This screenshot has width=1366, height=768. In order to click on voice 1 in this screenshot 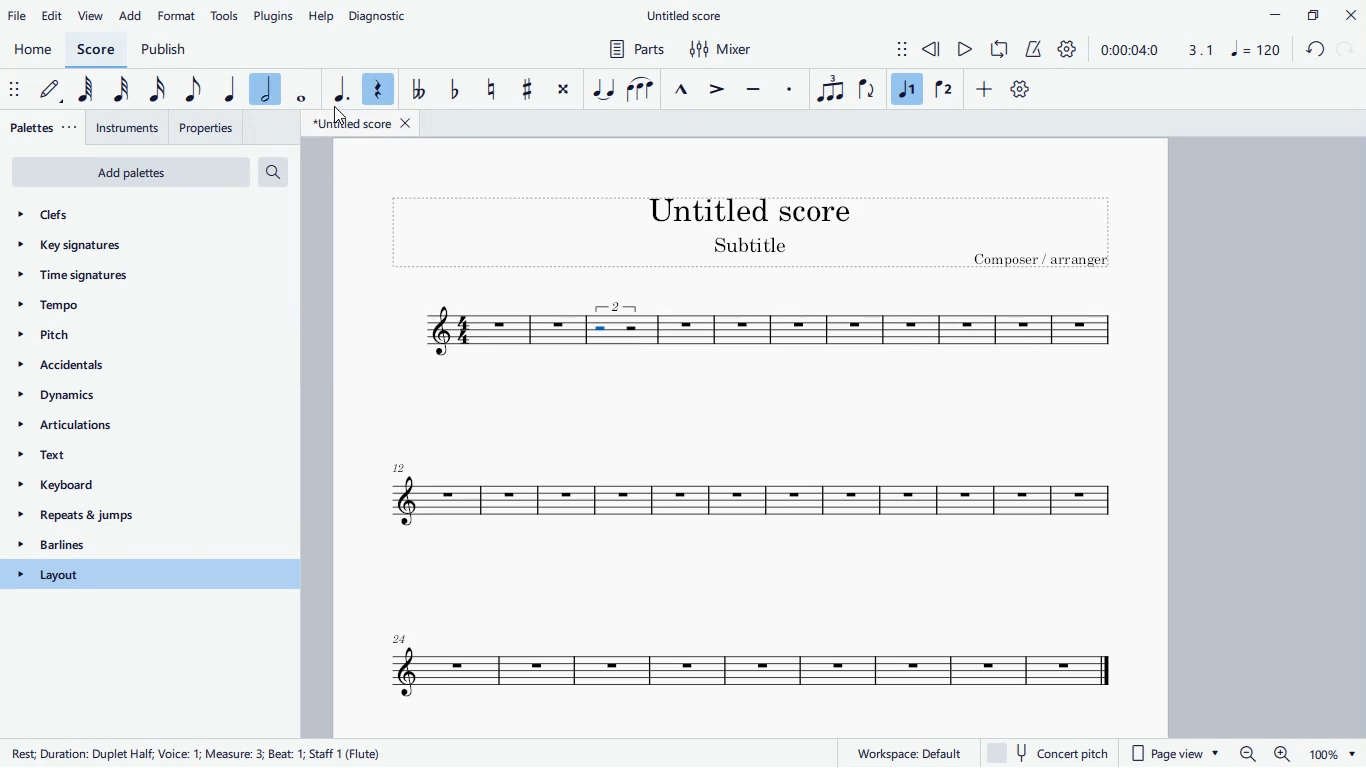, I will do `click(907, 88)`.